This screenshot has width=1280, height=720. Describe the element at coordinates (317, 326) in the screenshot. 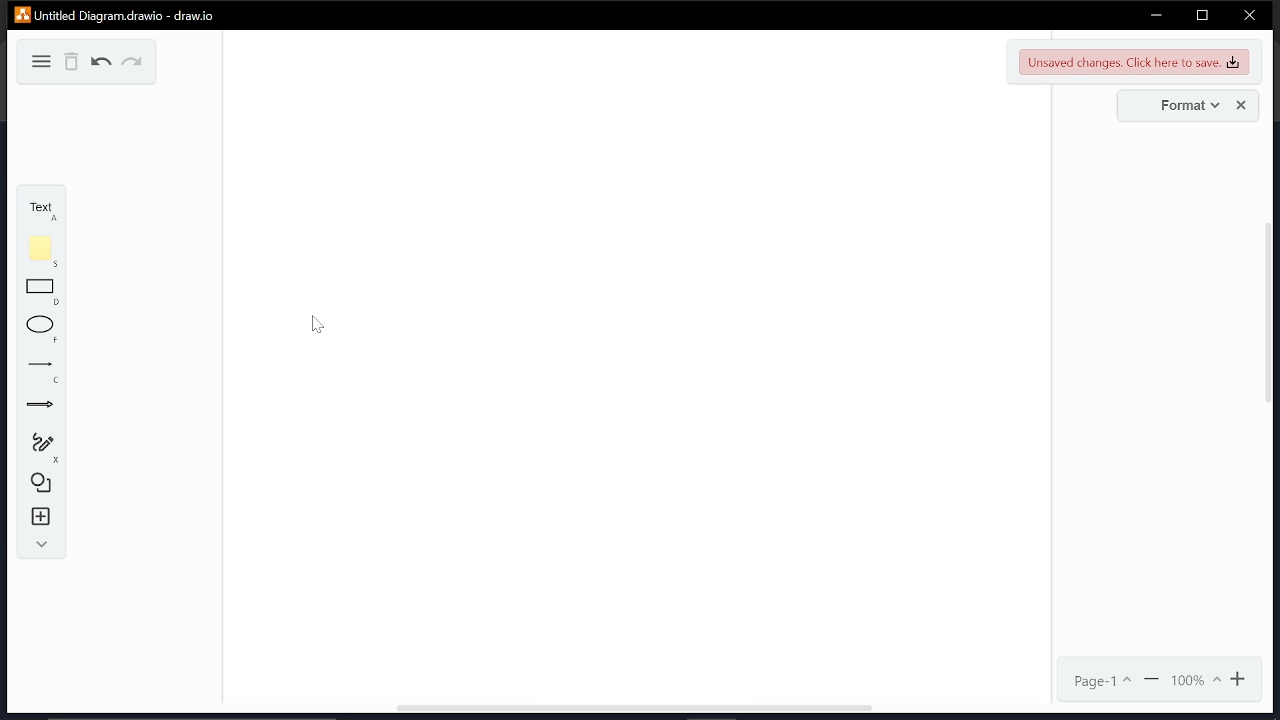

I see `Cursor` at that location.